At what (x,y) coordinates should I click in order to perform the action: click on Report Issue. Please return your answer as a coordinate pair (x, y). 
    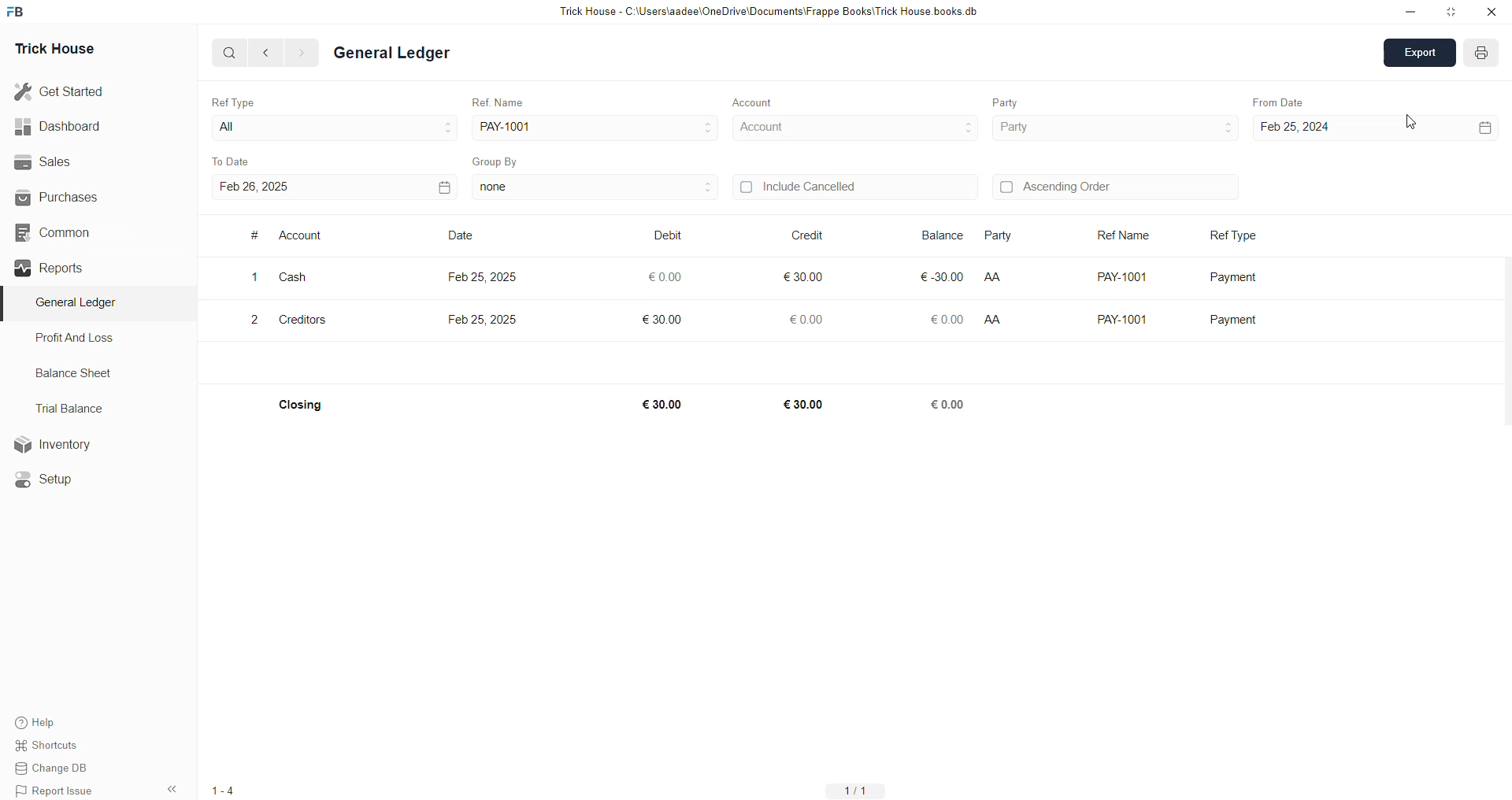
    Looking at the image, I should click on (59, 791).